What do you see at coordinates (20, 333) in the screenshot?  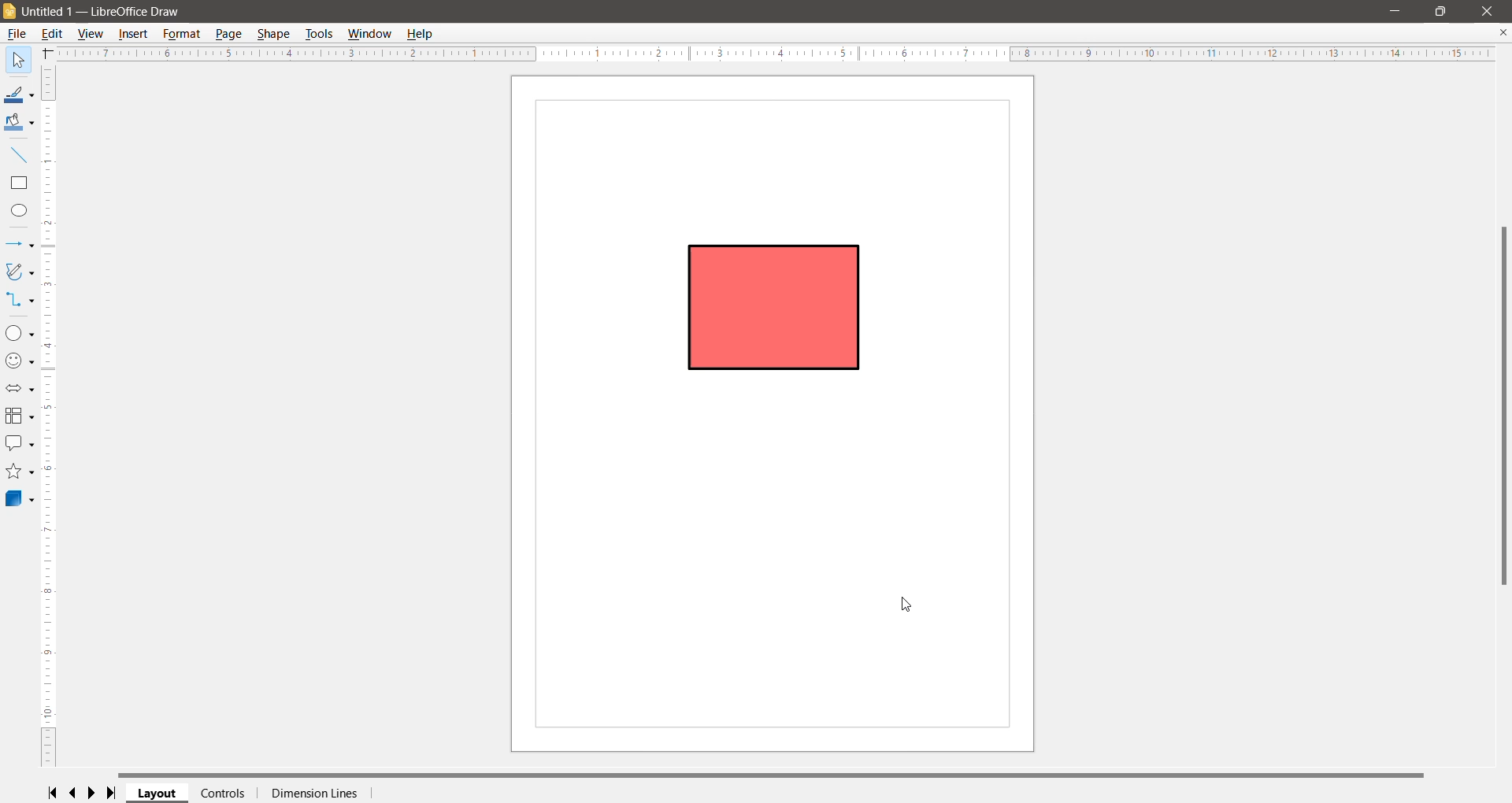 I see `Basic Shapes` at bounding box center [20, 333].